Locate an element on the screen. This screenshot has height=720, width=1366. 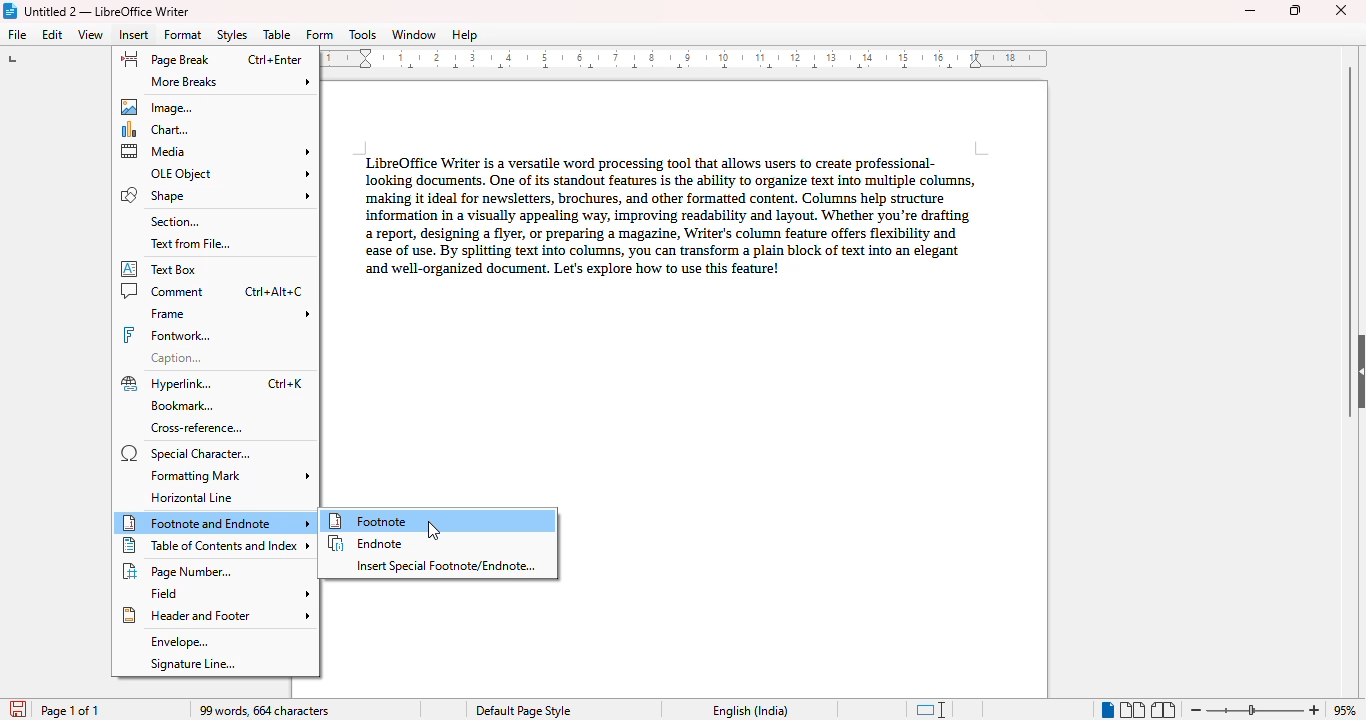
ruler is located at coordinates (683, 58).